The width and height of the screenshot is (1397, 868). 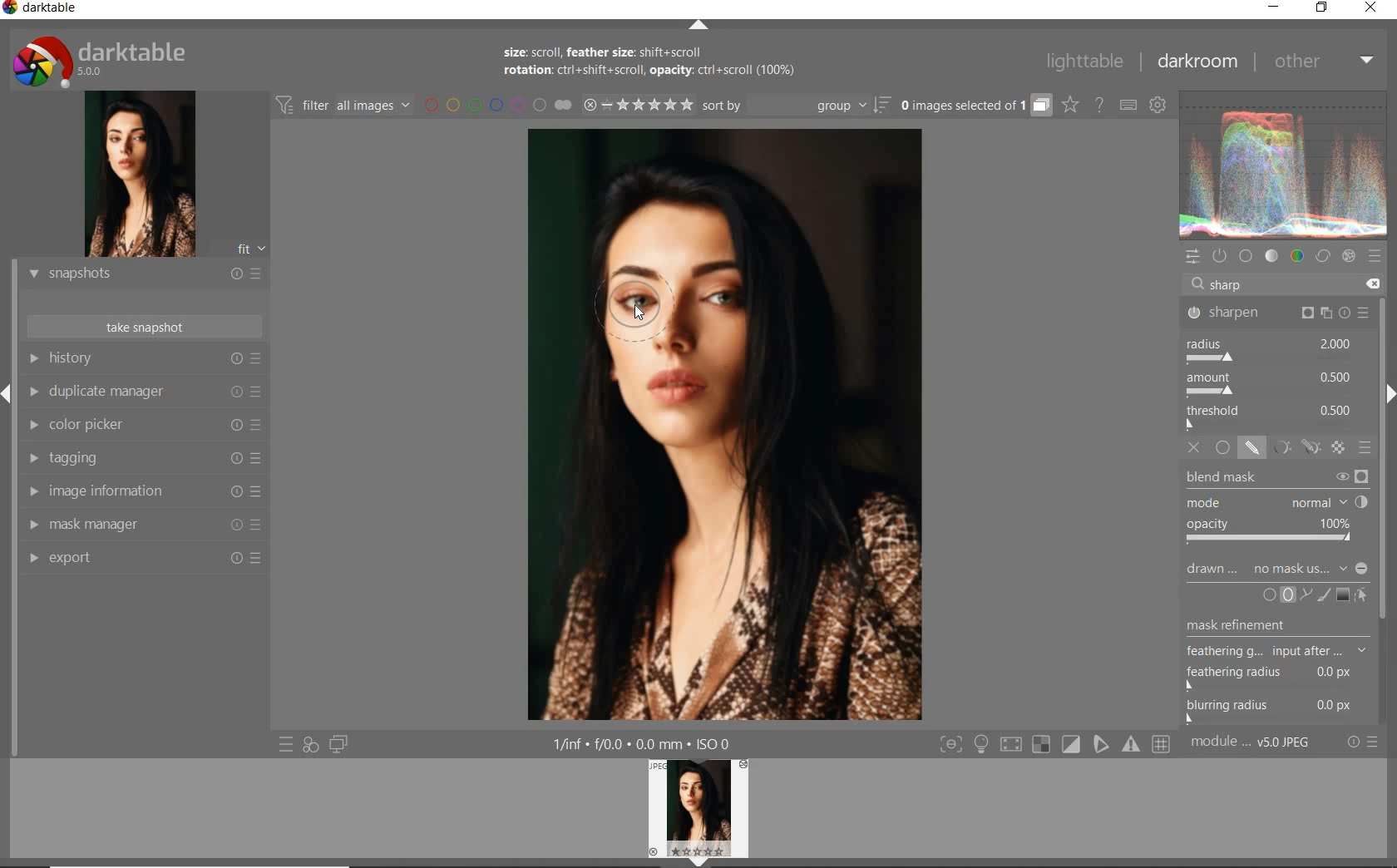 I want to click on presets, so click(x=1377, y=258).